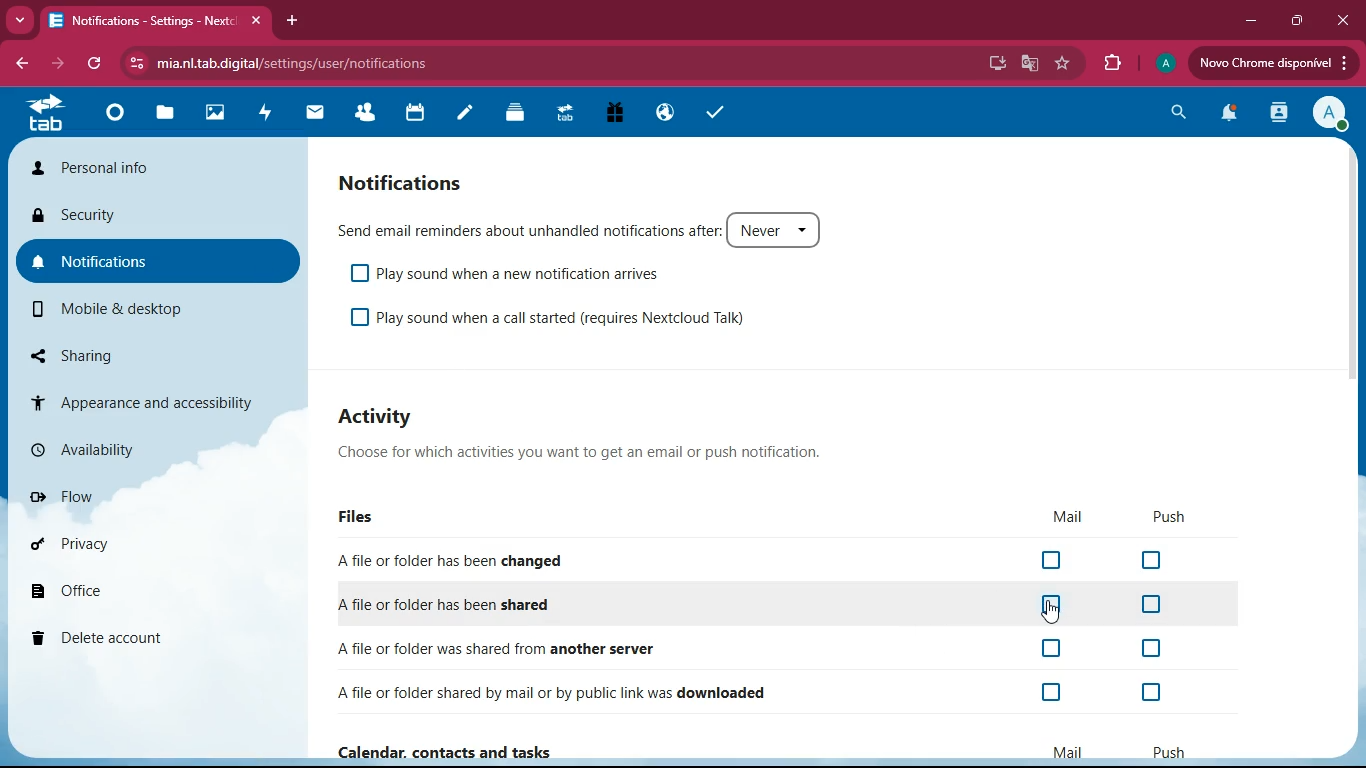  Describe the element at coordinates (1059, 648) in the screenshot. I see `off` at that location.